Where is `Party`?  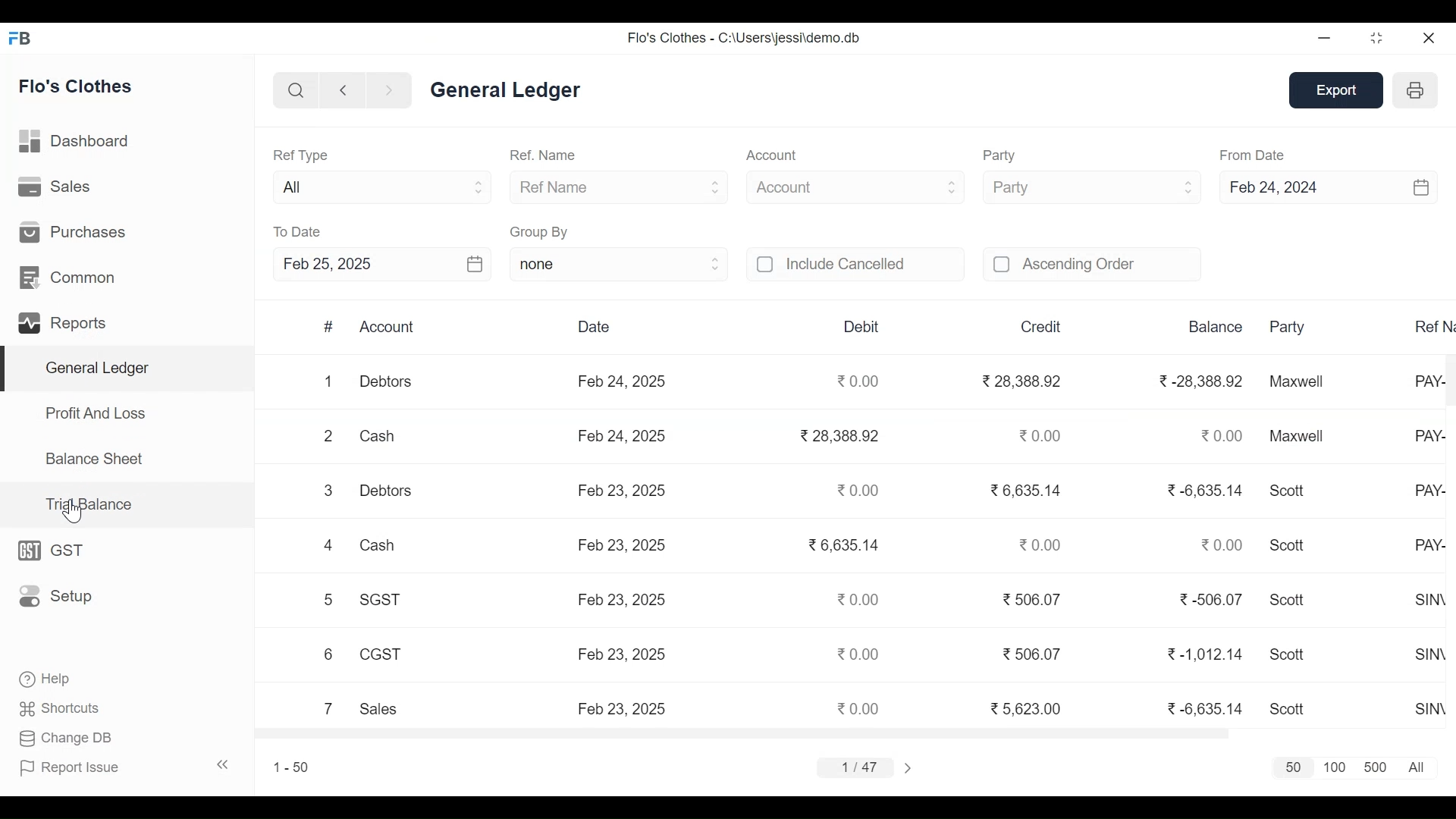
Party is located at coordinates (1090, 187).